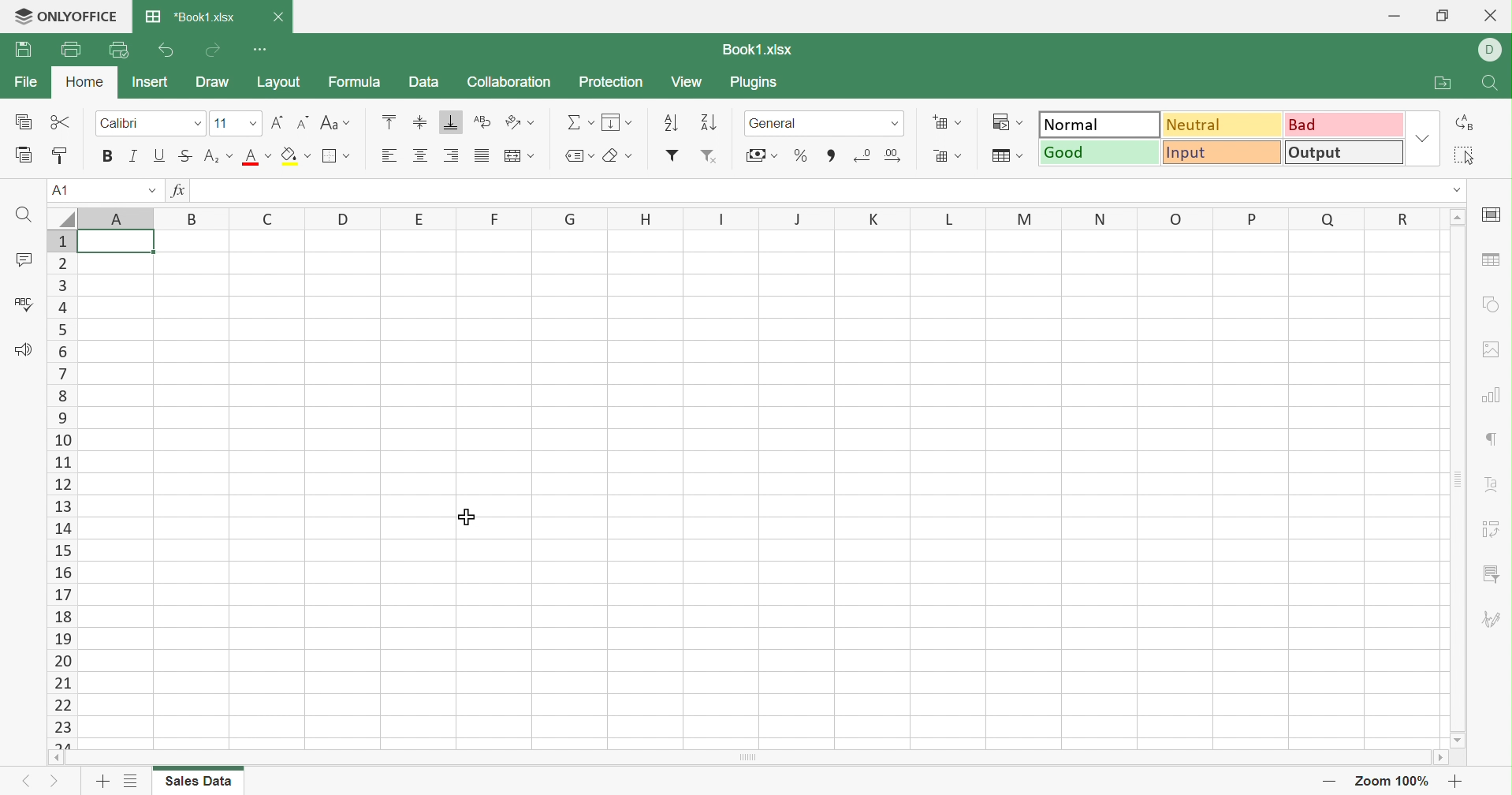 Image resolution: width=1512 pixels, height=795 pixels. What do you see at coordinates (581, 155) in the screenshot?
I see `Named ranges` at bounding box center [581, 155].